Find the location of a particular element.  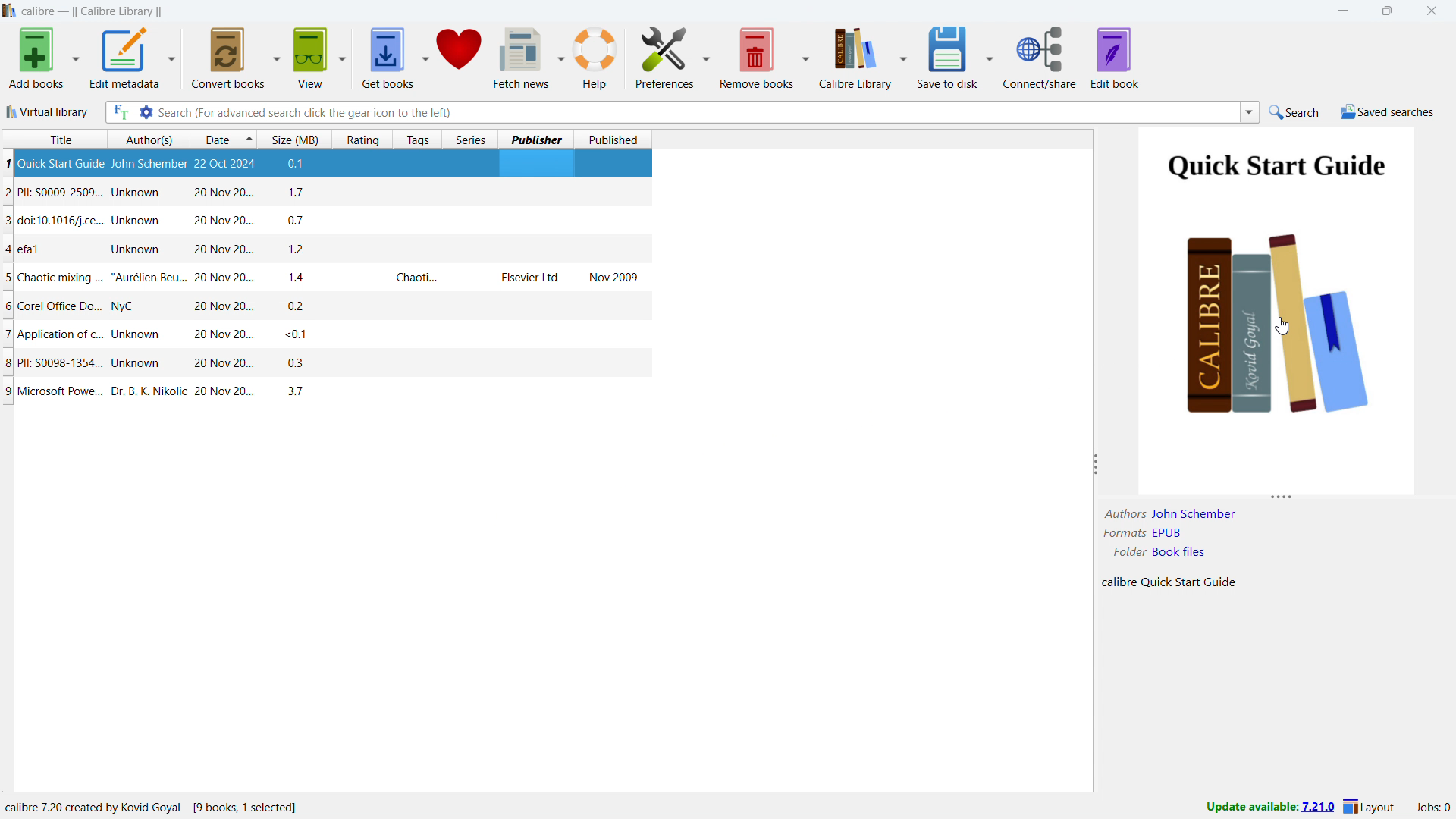

edit book is located at coordinates (1115, 58).